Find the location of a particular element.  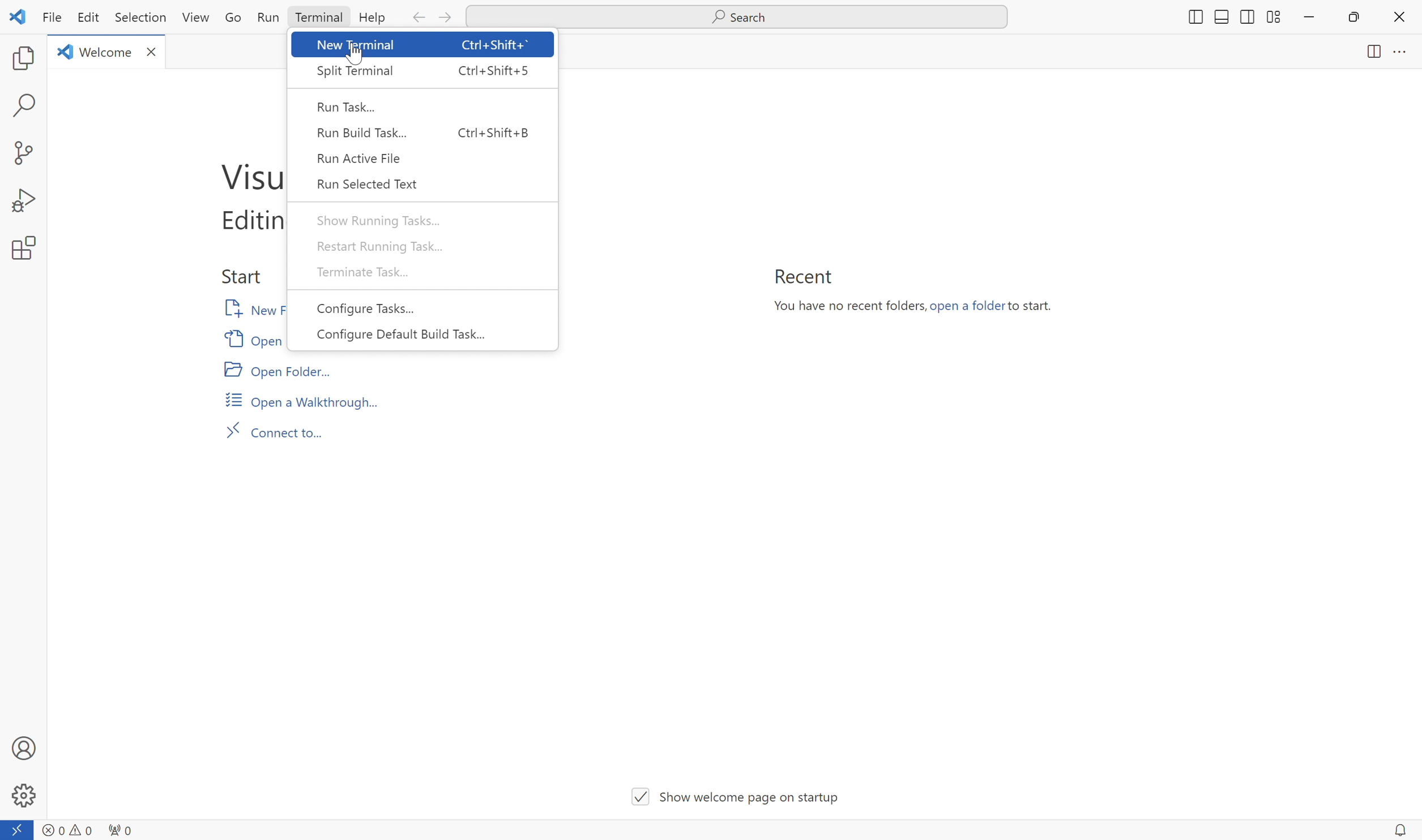

explorer is located at coordinates (23, 58).